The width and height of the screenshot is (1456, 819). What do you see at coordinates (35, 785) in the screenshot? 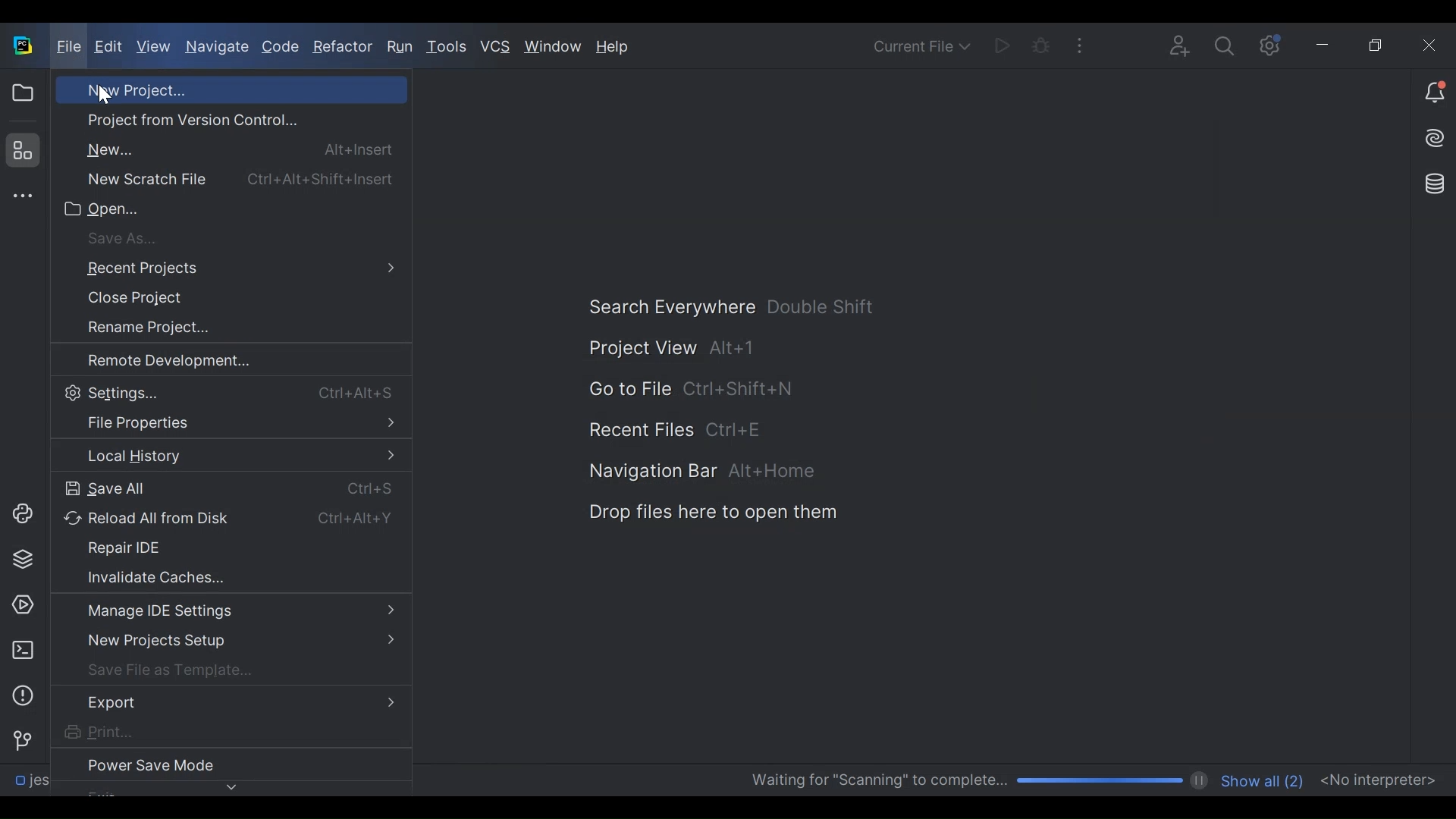
I see `jes` at bounding box center [35, 785].